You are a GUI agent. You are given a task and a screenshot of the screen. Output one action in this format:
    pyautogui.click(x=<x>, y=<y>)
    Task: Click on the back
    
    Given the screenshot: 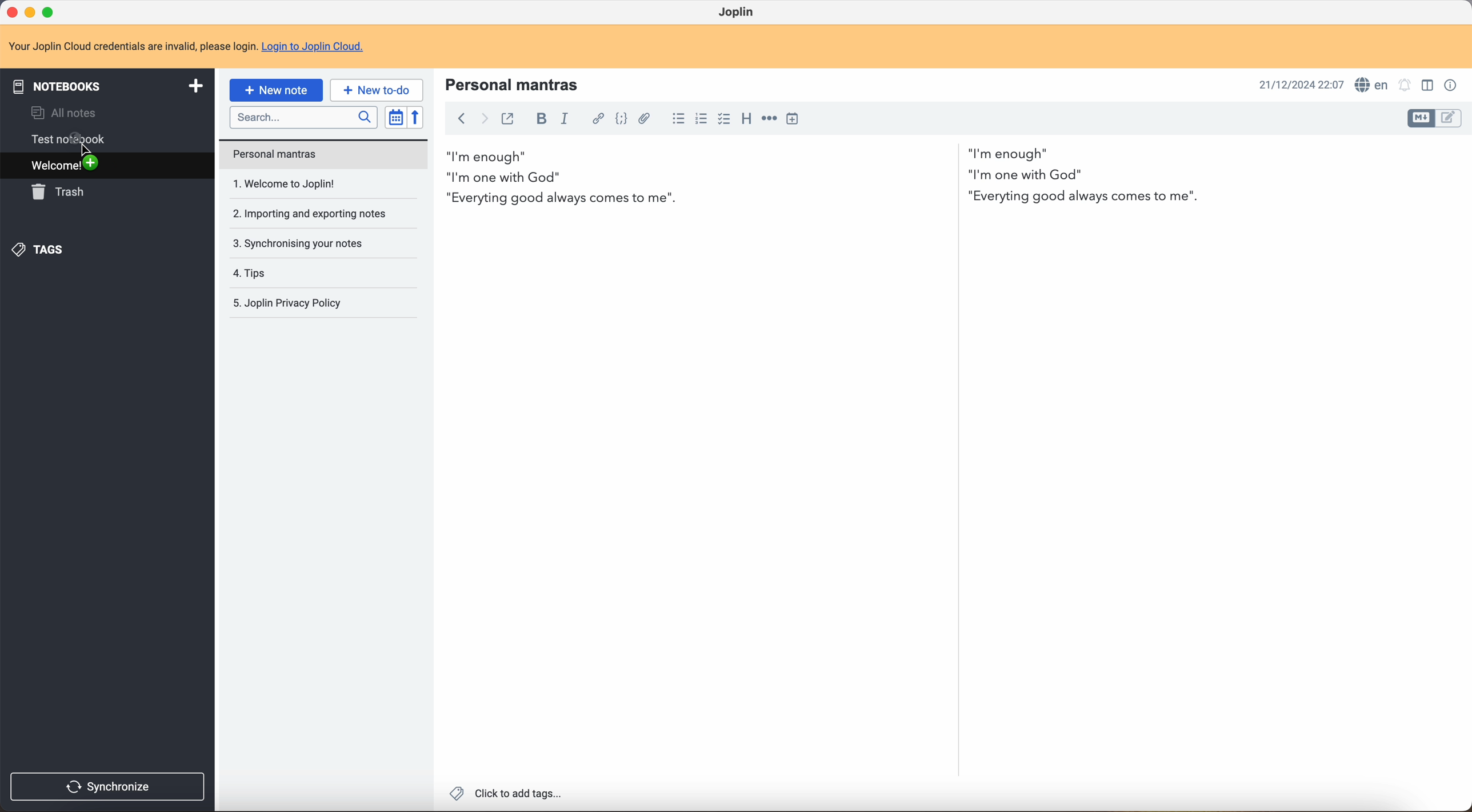 What is the action you would take?
    pyautogui.click(x=461, y=119)
    